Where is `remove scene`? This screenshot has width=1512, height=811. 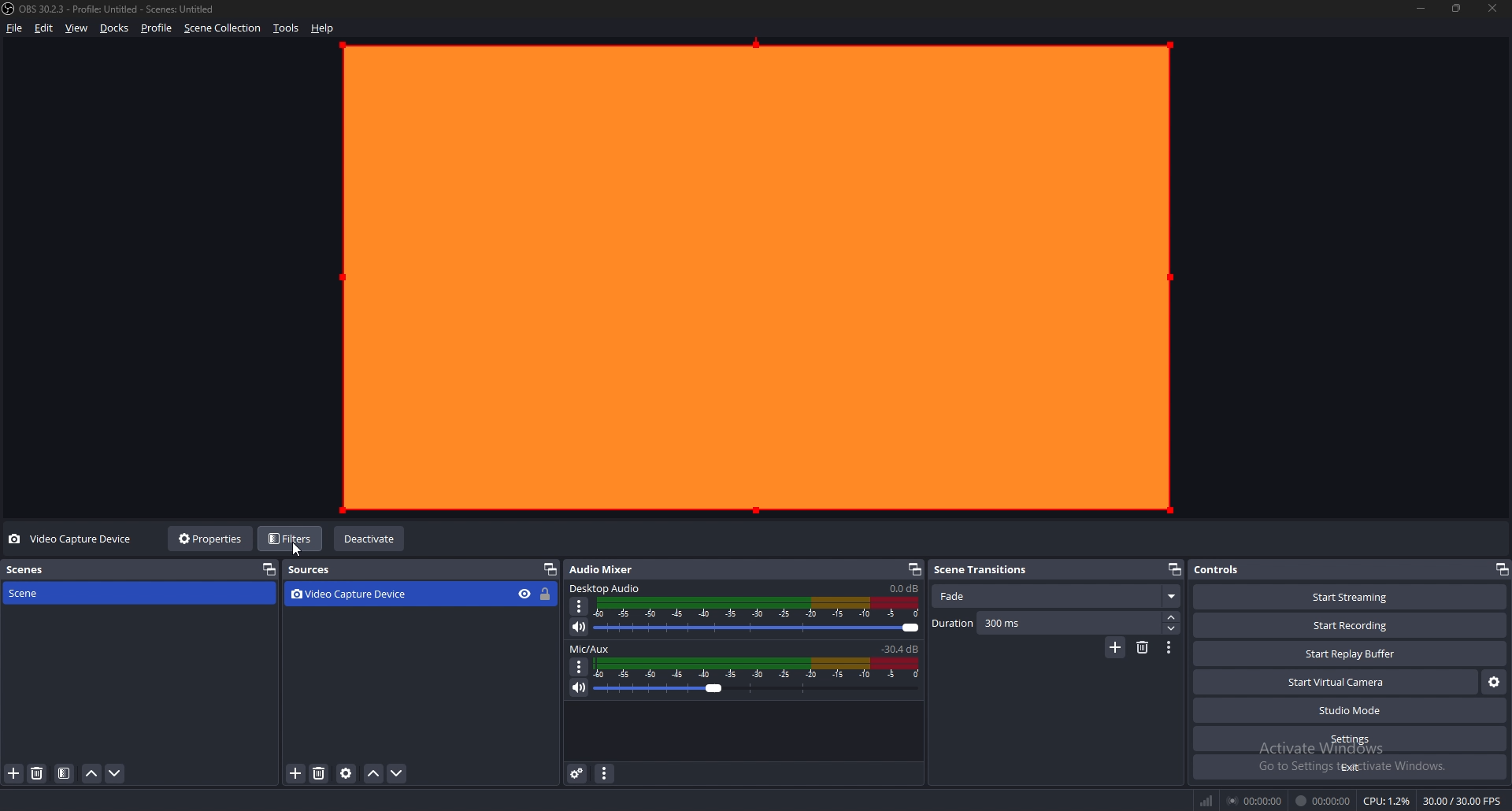 remove scene is located at coordinates (39, 774).